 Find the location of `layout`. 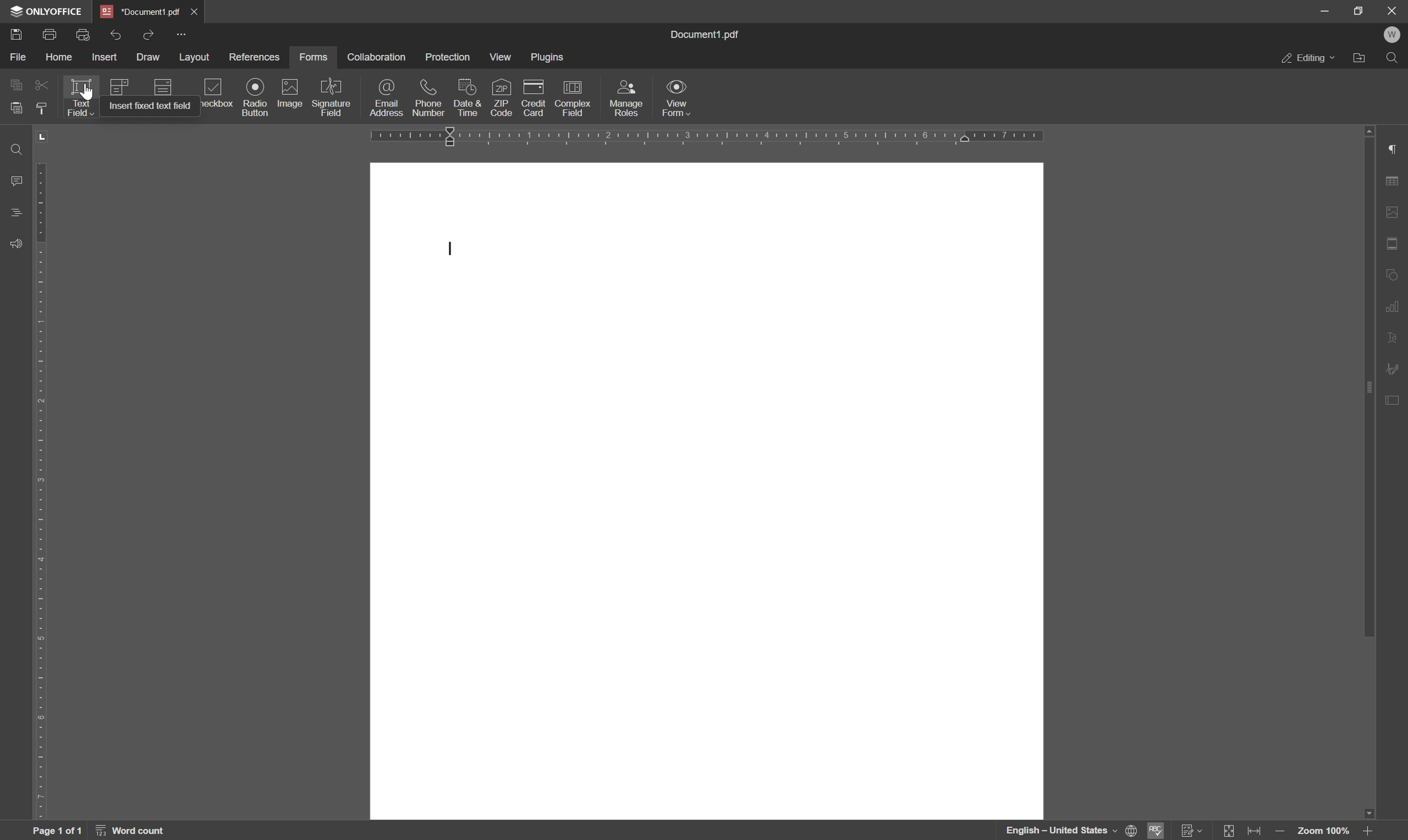

layout is located at coordinates (197, 57).